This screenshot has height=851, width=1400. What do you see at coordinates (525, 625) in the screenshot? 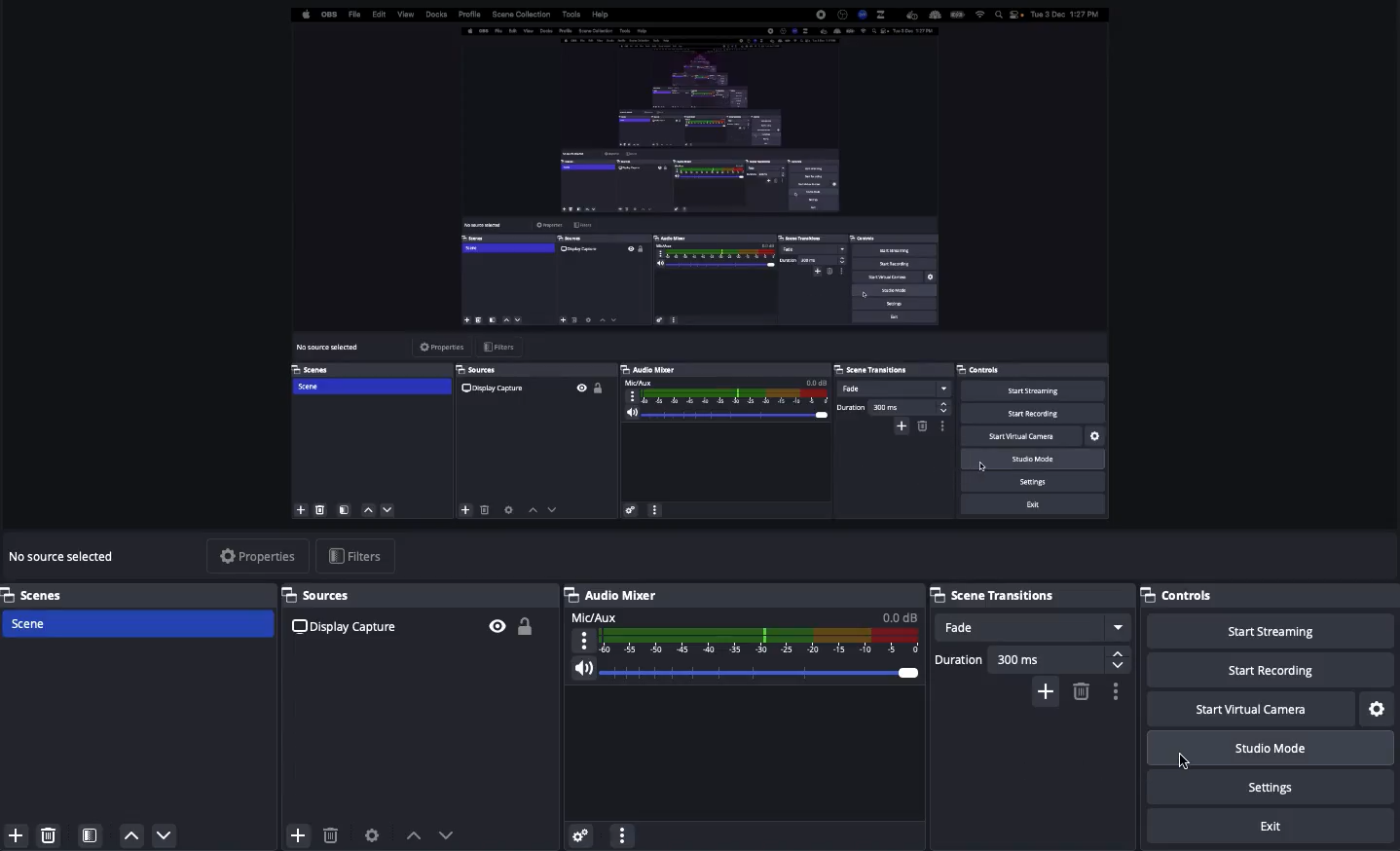
I see `Unlocked` at bounding box center [525, 625].